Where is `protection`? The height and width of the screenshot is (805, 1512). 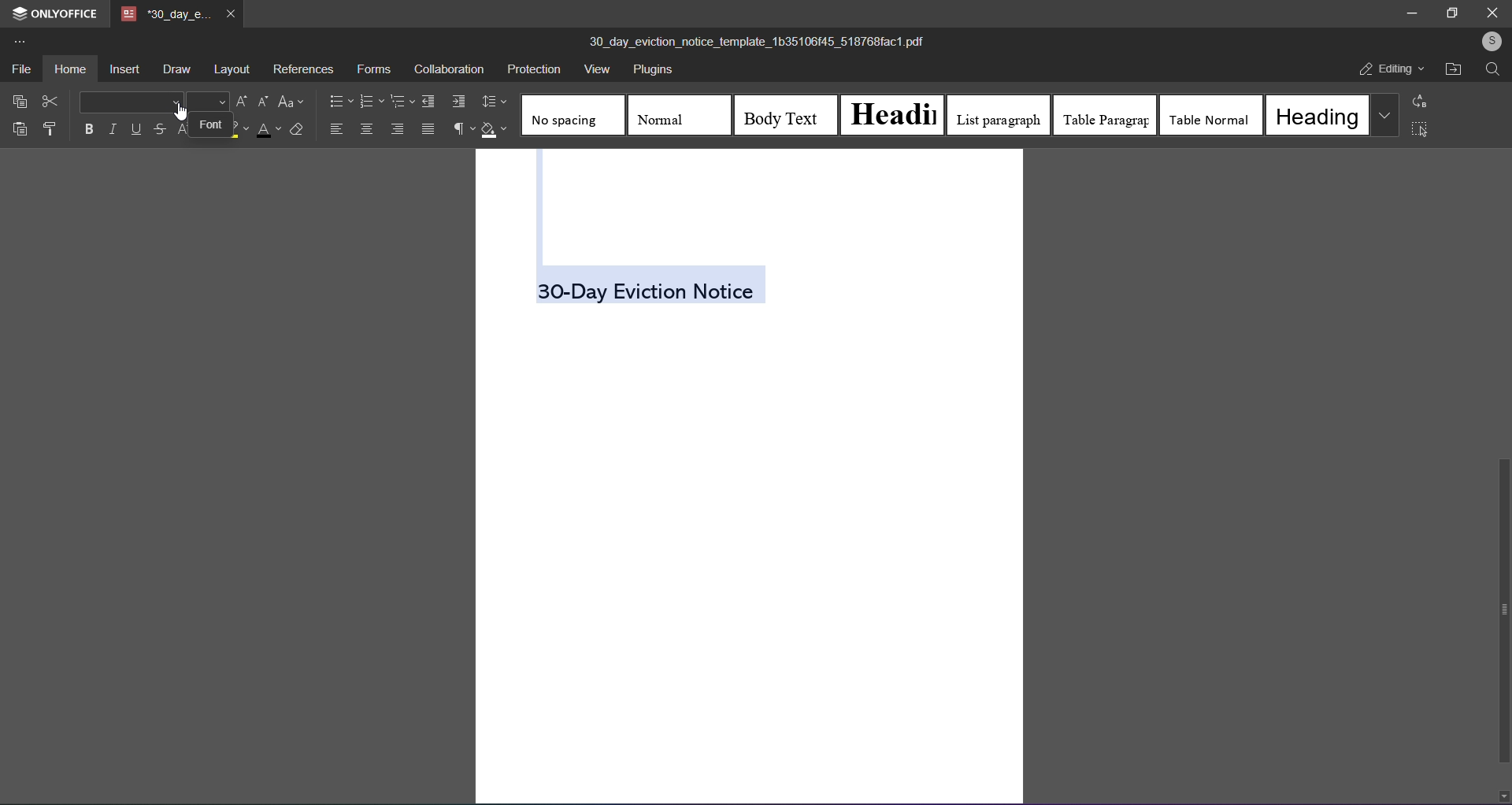
protection is located at coordinates (532, 68).